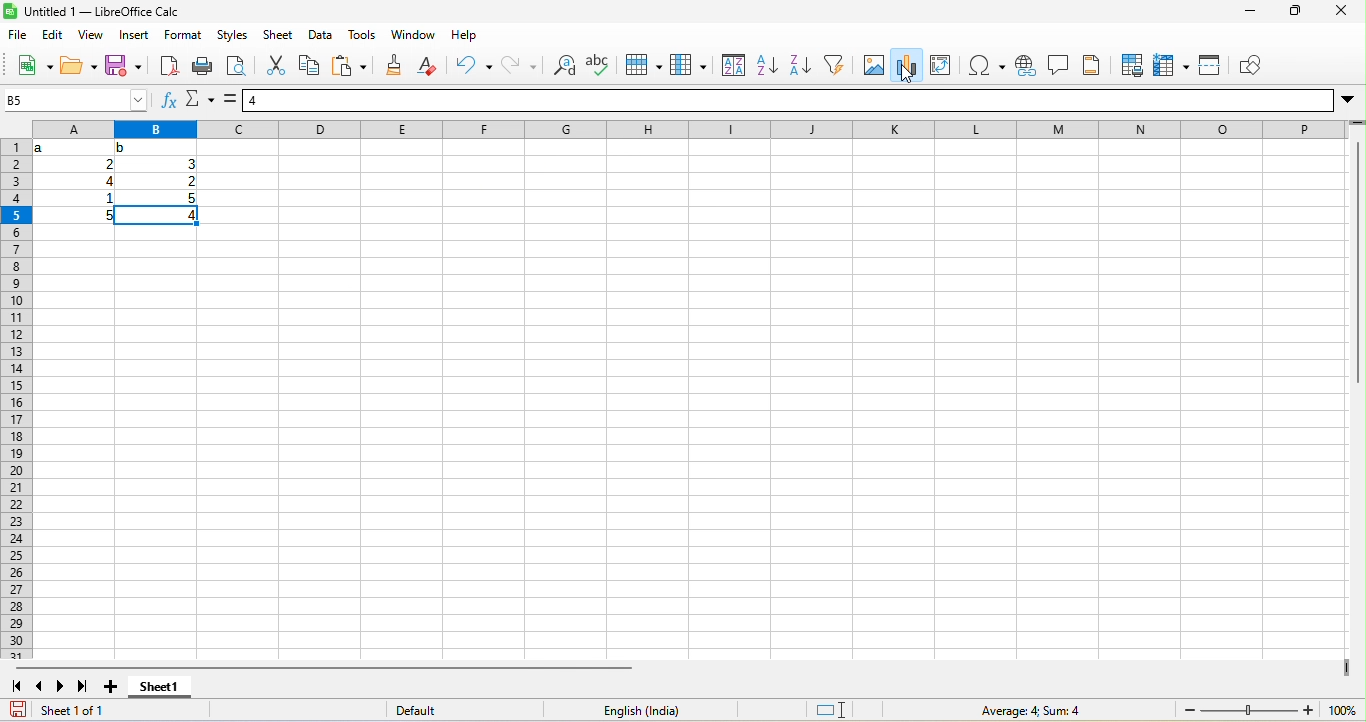 The width and height of the screenshot is (1366, 722). I want to click on 1, so click(106, 198).